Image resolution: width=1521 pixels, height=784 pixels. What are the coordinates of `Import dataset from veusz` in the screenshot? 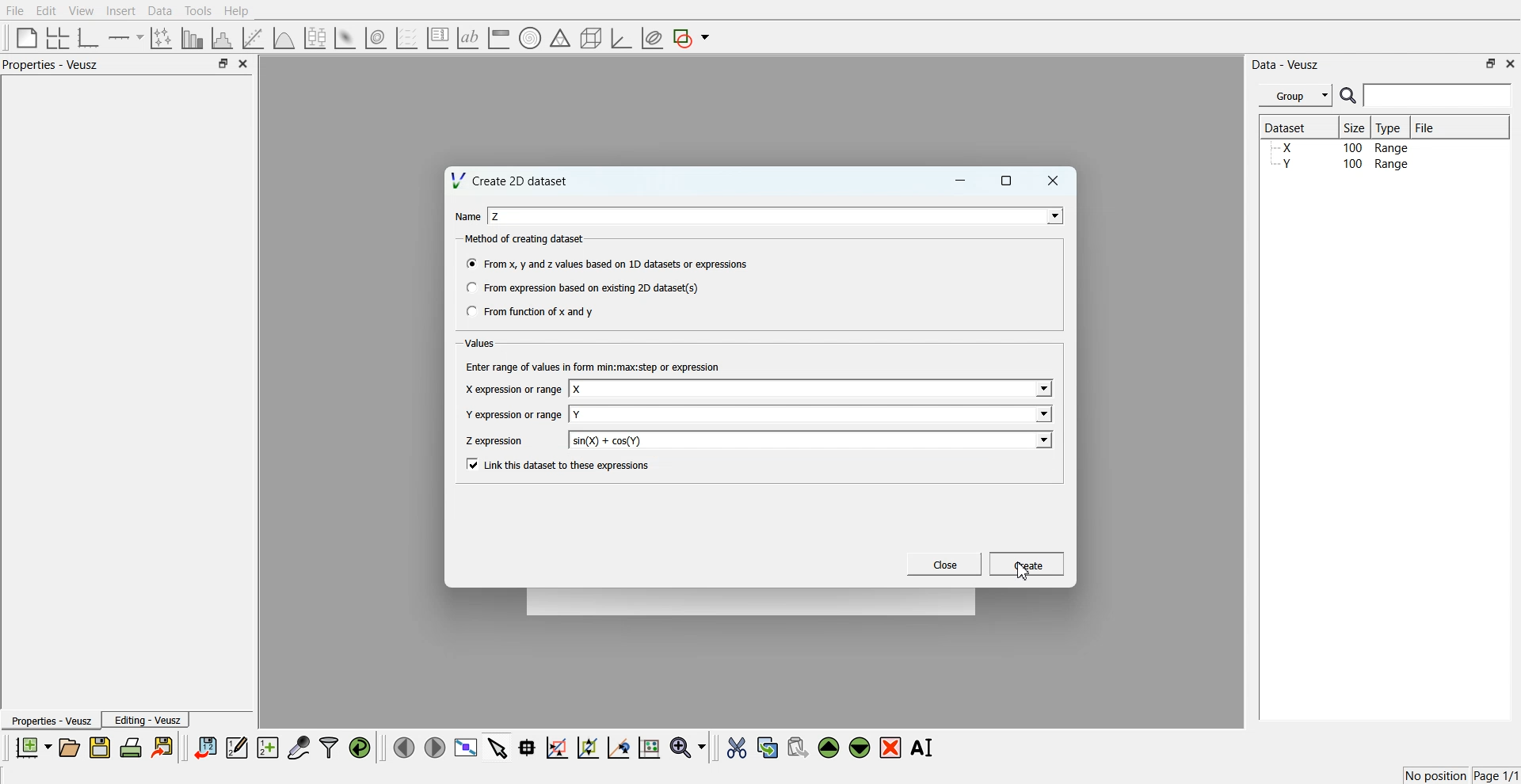 It's located at (205, 747).